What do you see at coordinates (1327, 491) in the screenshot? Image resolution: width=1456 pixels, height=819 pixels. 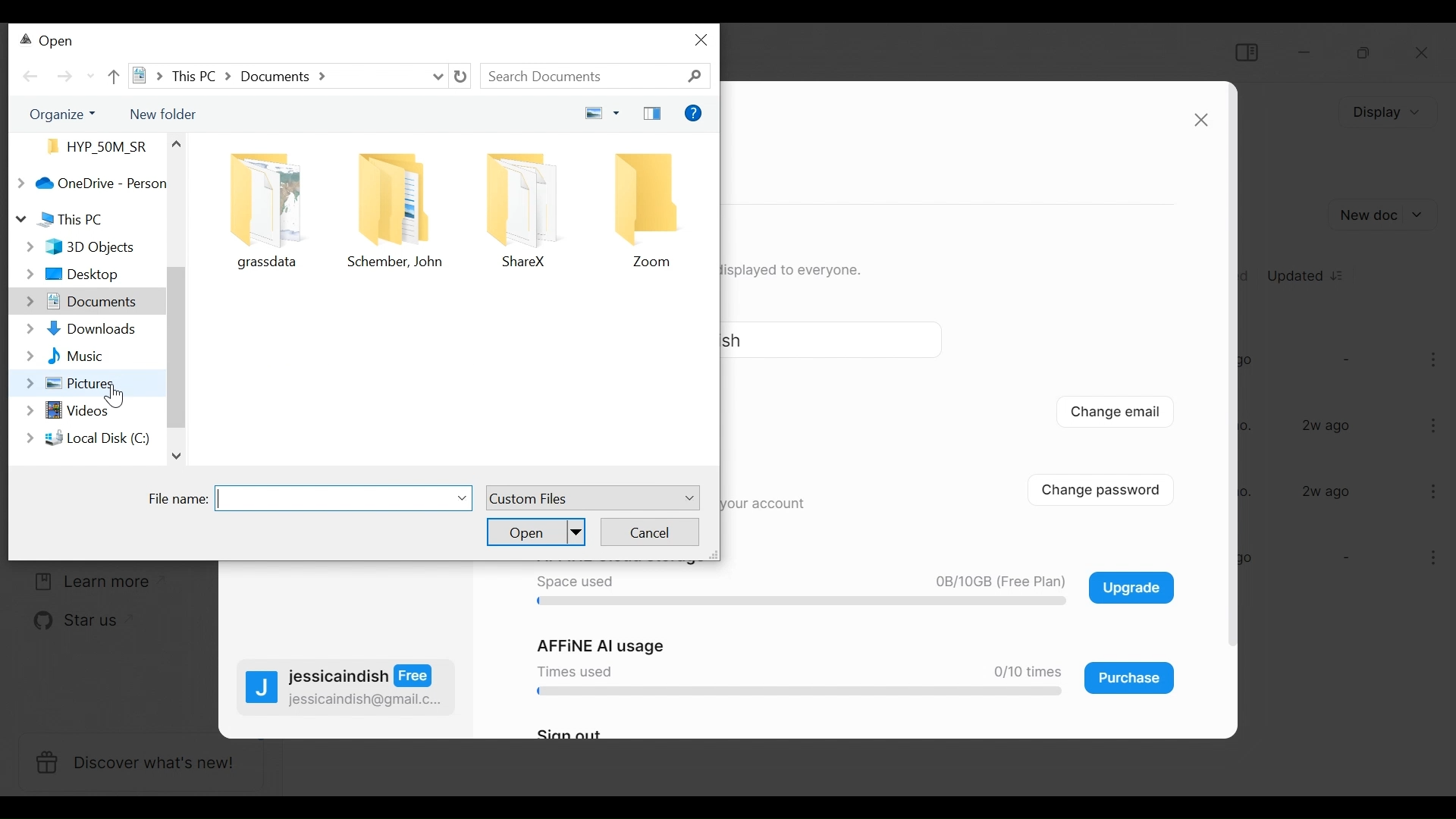 I see `2w ago` at bounding box center [1327, 491].